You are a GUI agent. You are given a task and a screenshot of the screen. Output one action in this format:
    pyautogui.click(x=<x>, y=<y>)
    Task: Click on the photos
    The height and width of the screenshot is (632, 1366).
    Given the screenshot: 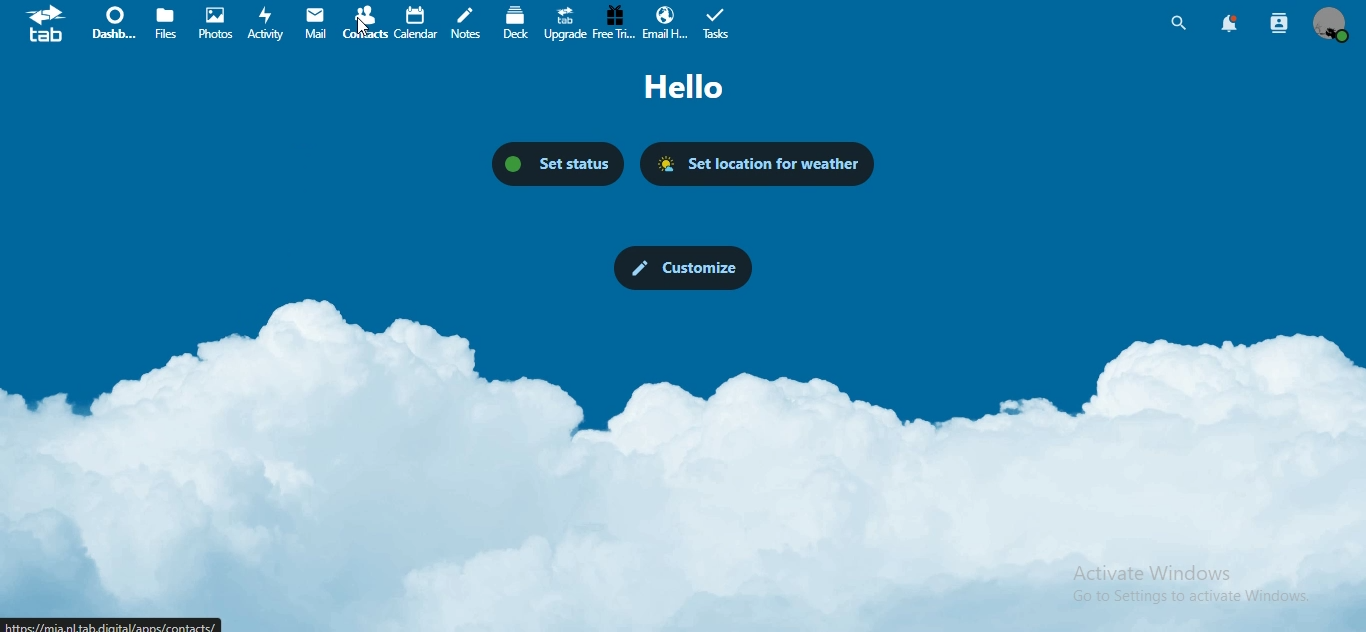 What is the action you would take?
    pyautogui.click(x=214, y=22)
    